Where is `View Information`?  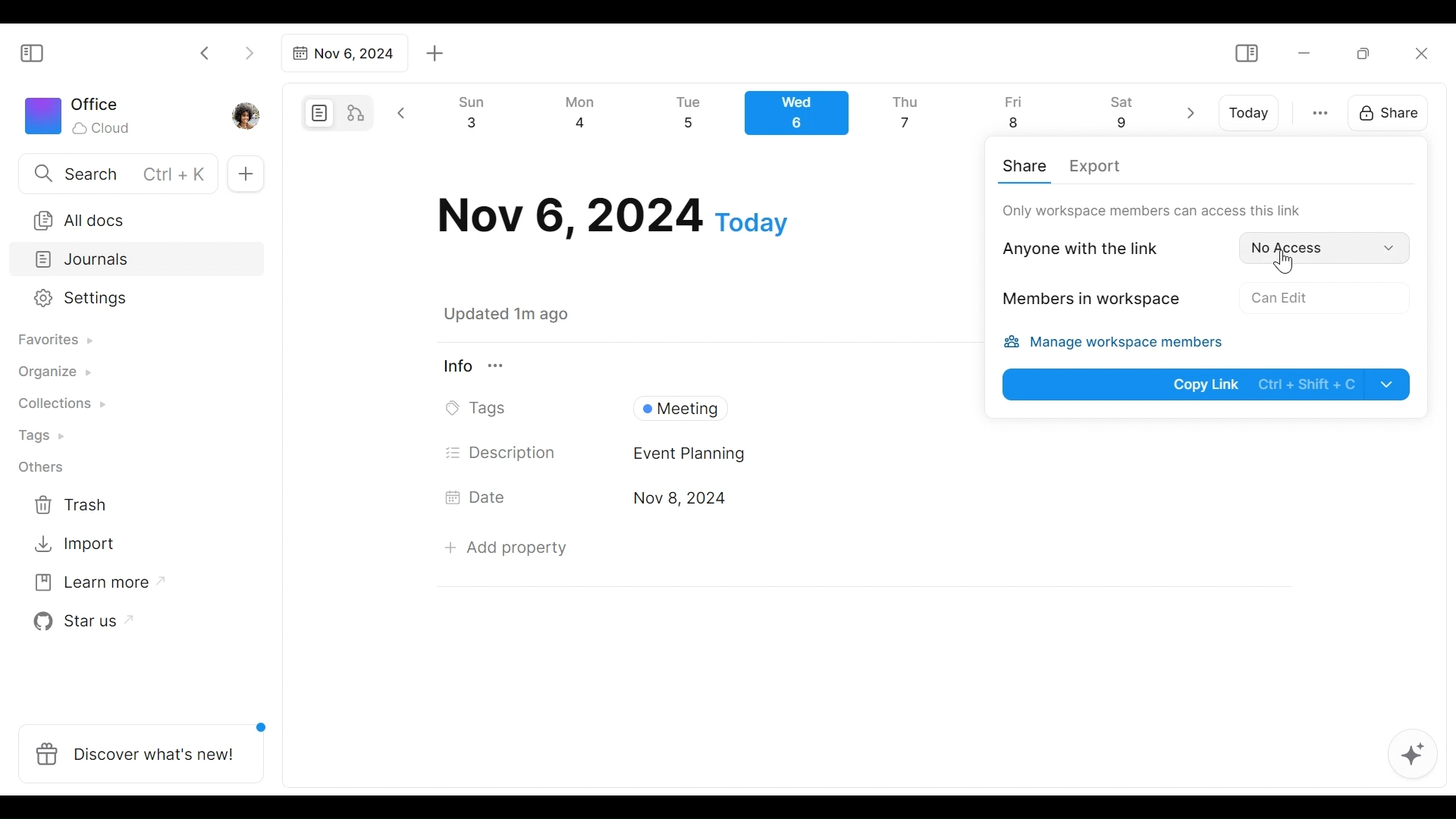 View Information is located at coordinates (700, 366).